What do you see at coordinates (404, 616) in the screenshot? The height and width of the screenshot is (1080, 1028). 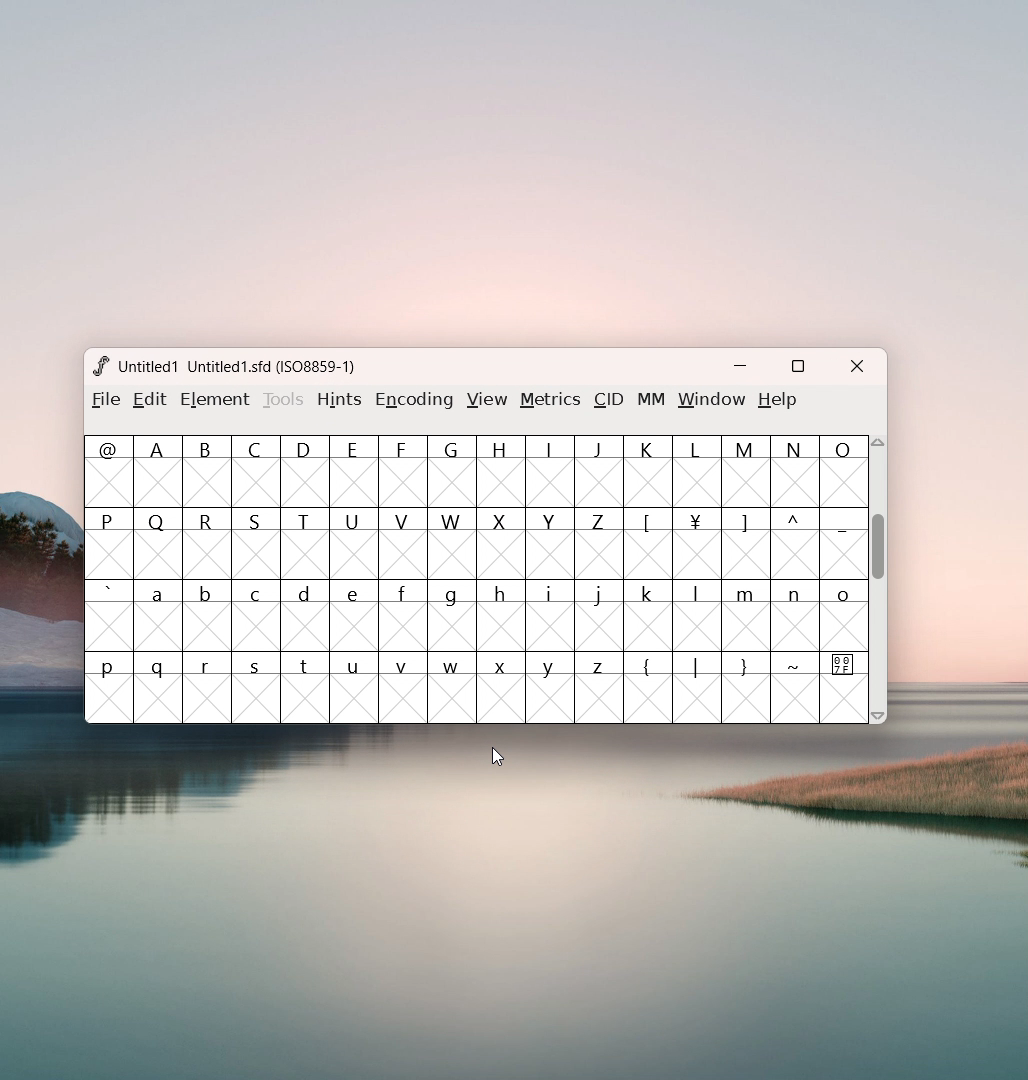 I see `f` at bounding box center [404, 616].